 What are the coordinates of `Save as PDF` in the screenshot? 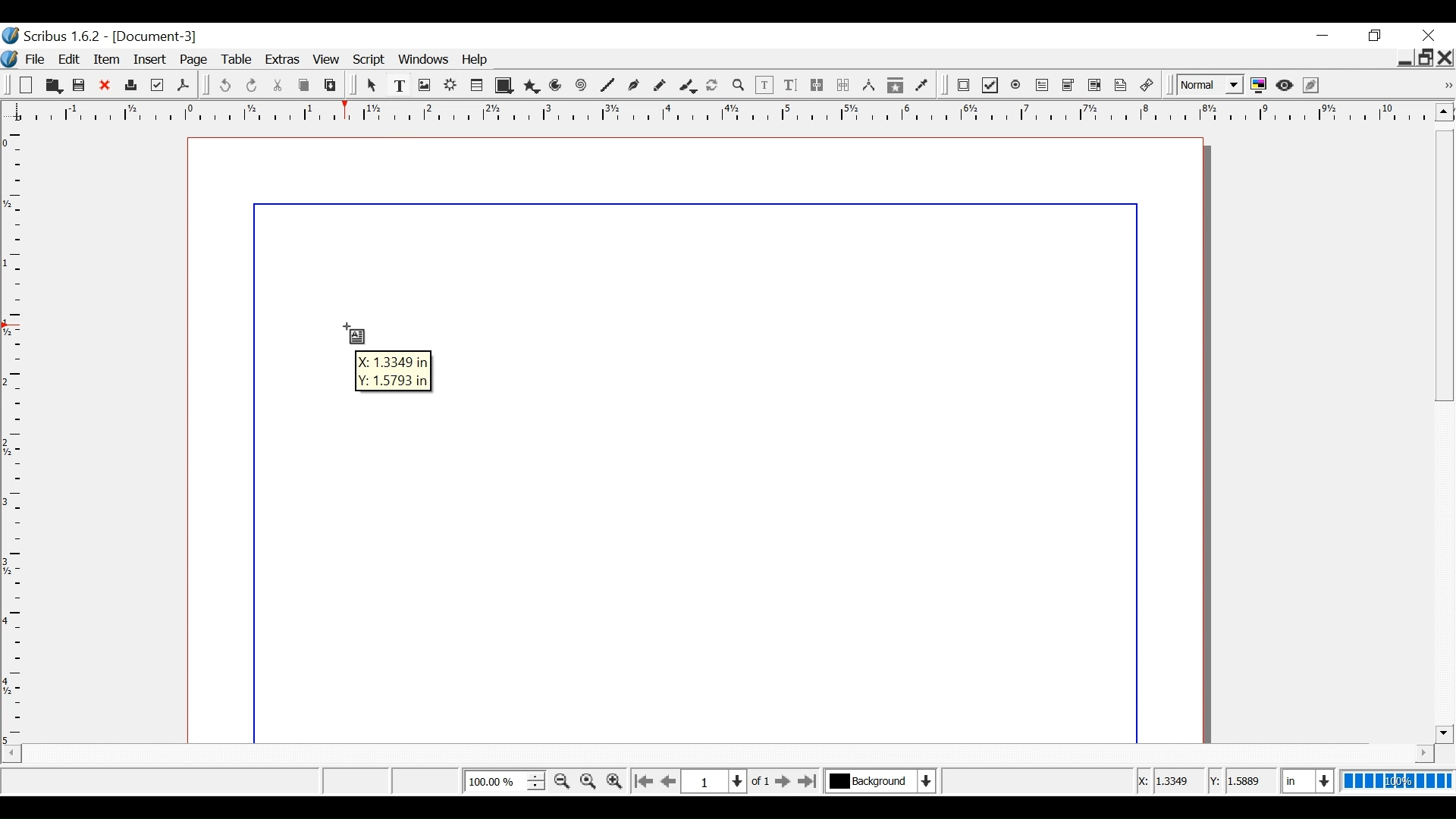 It's located at (184, 83).